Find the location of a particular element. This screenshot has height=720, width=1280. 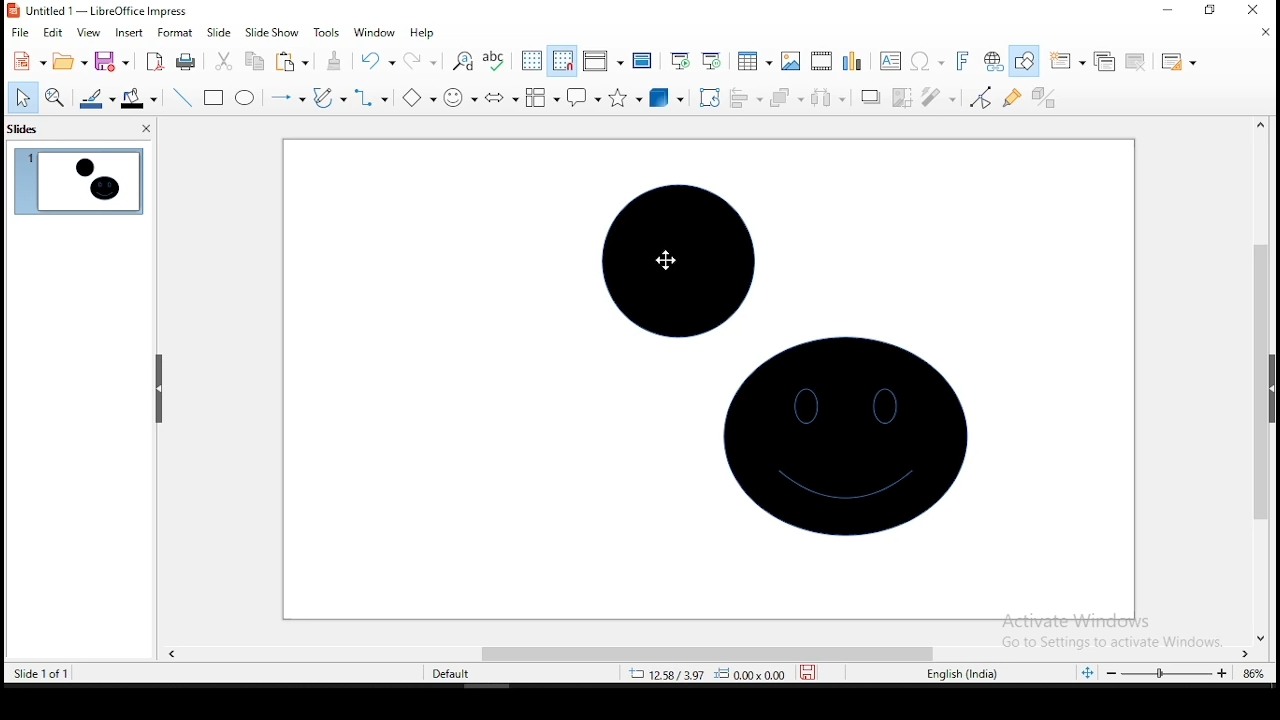

rotate is located at coordinates (710, 97).